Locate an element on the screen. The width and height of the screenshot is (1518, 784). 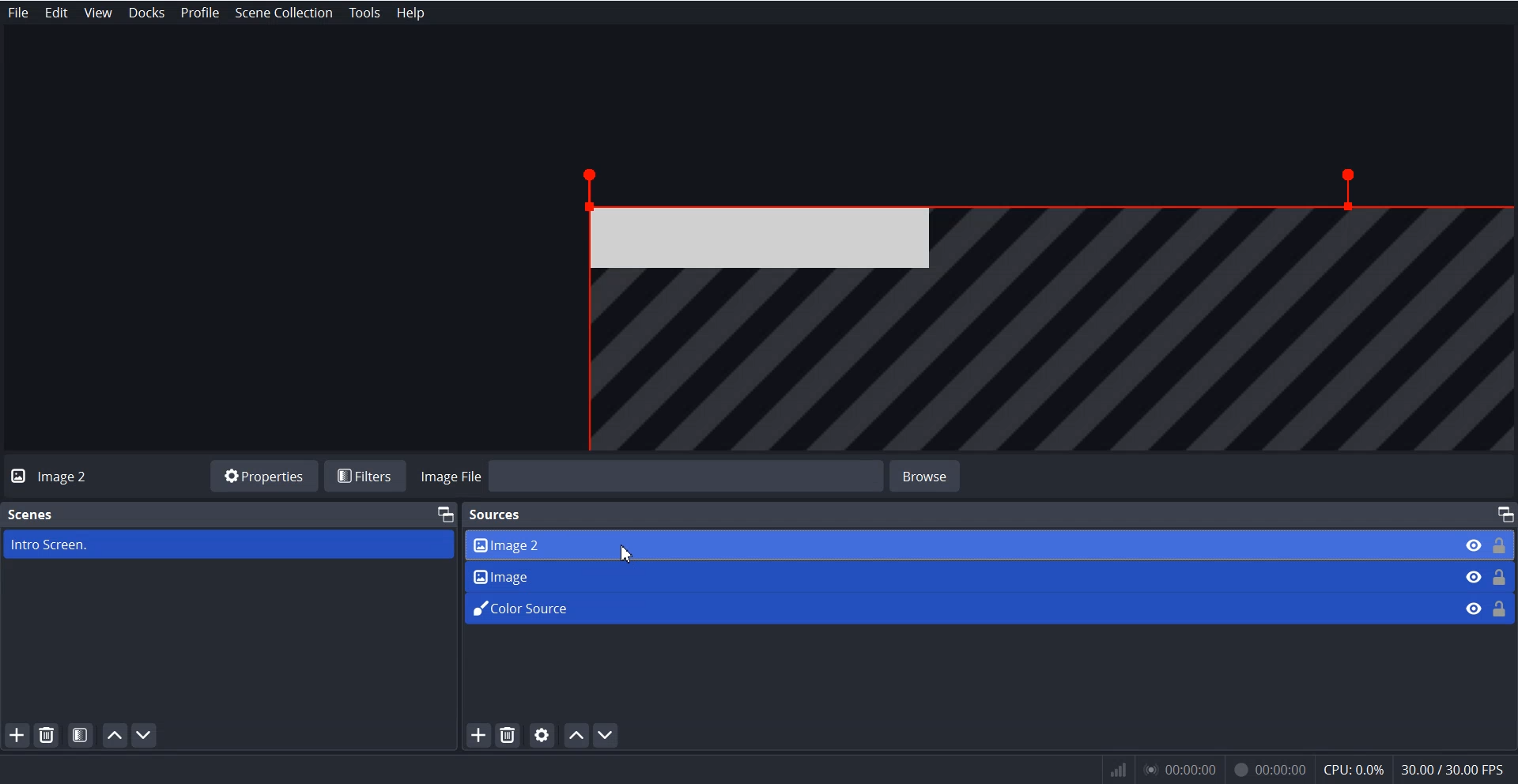
Sources is located at coordinates (498, 513).